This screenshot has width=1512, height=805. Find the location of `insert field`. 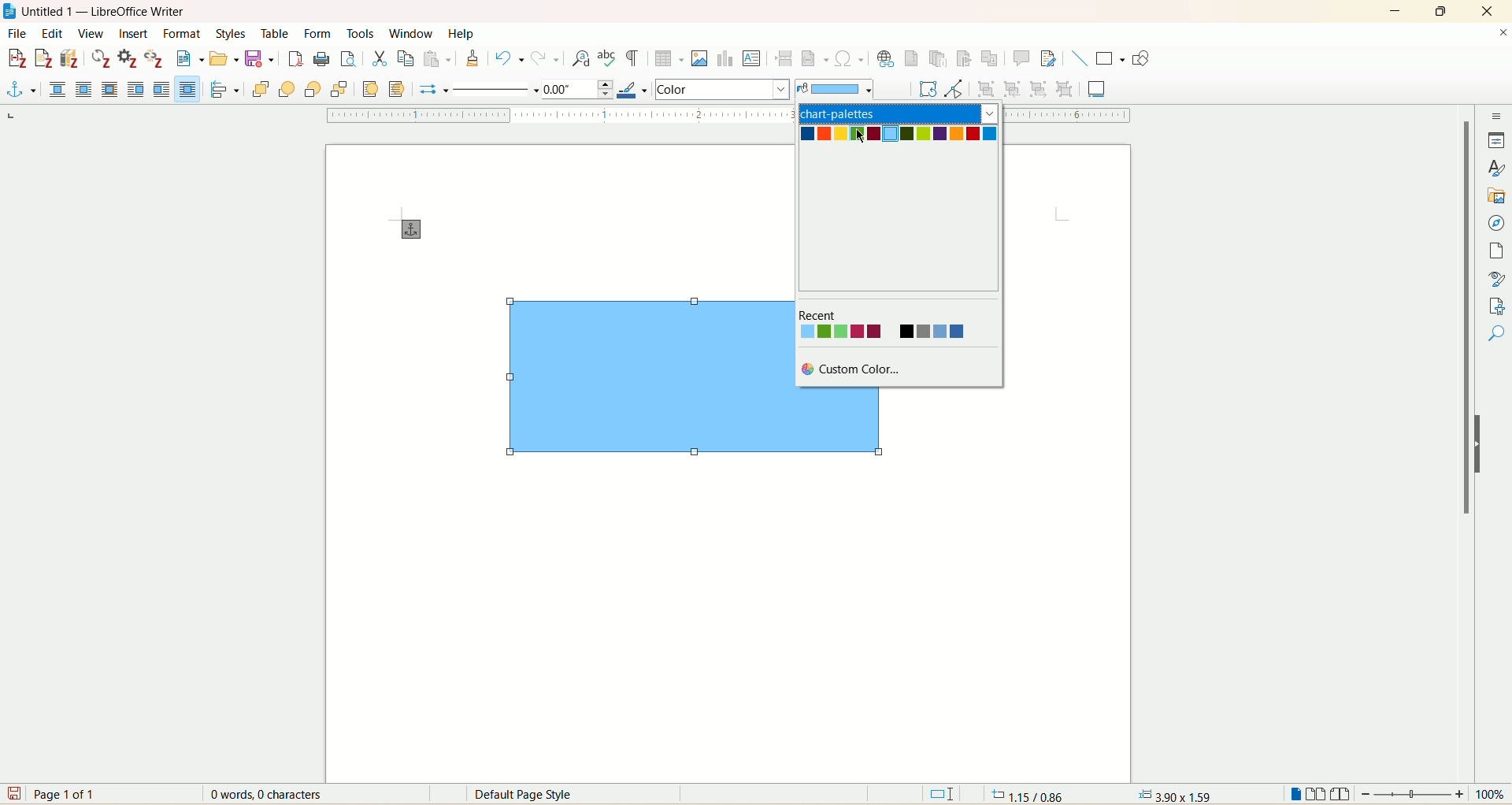

insert field is located at coordinates (815, 56).